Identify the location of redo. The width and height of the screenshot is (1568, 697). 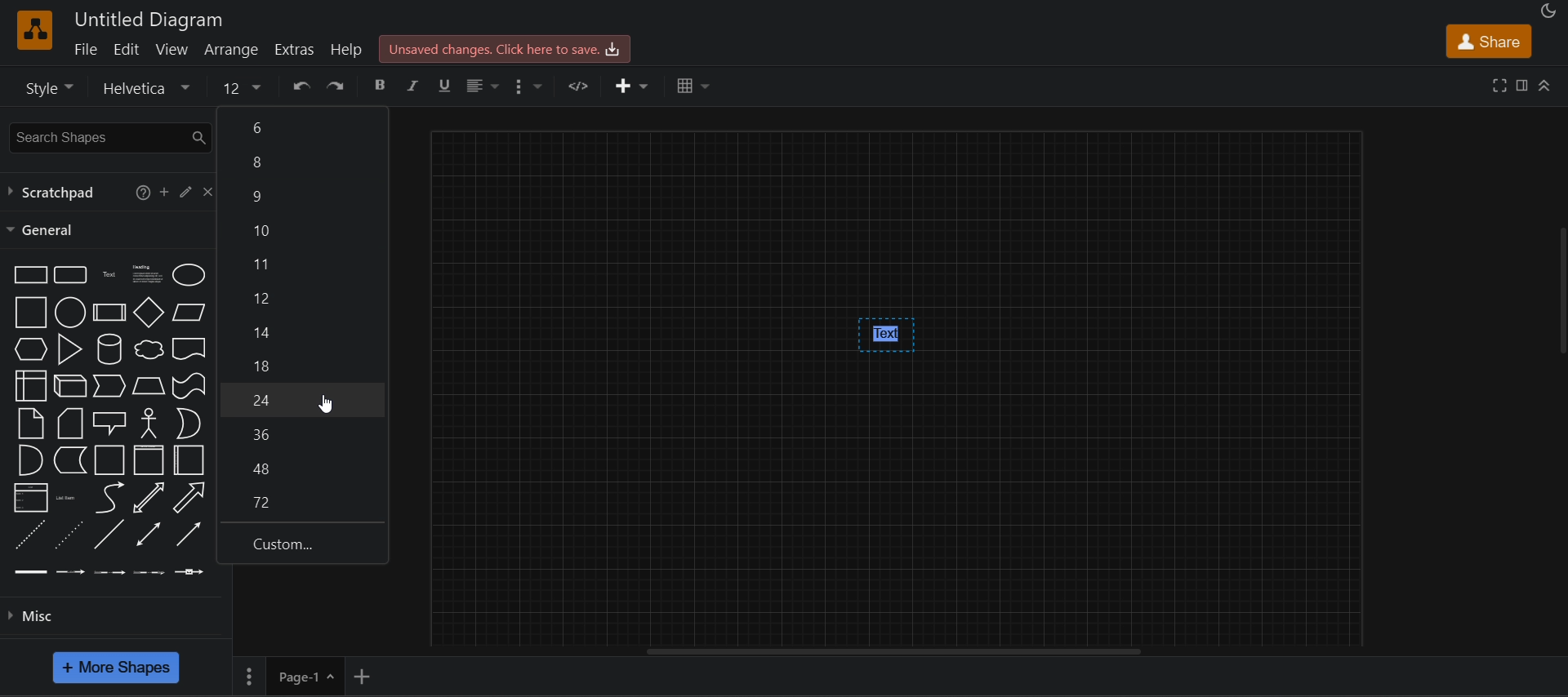
(336, 85).